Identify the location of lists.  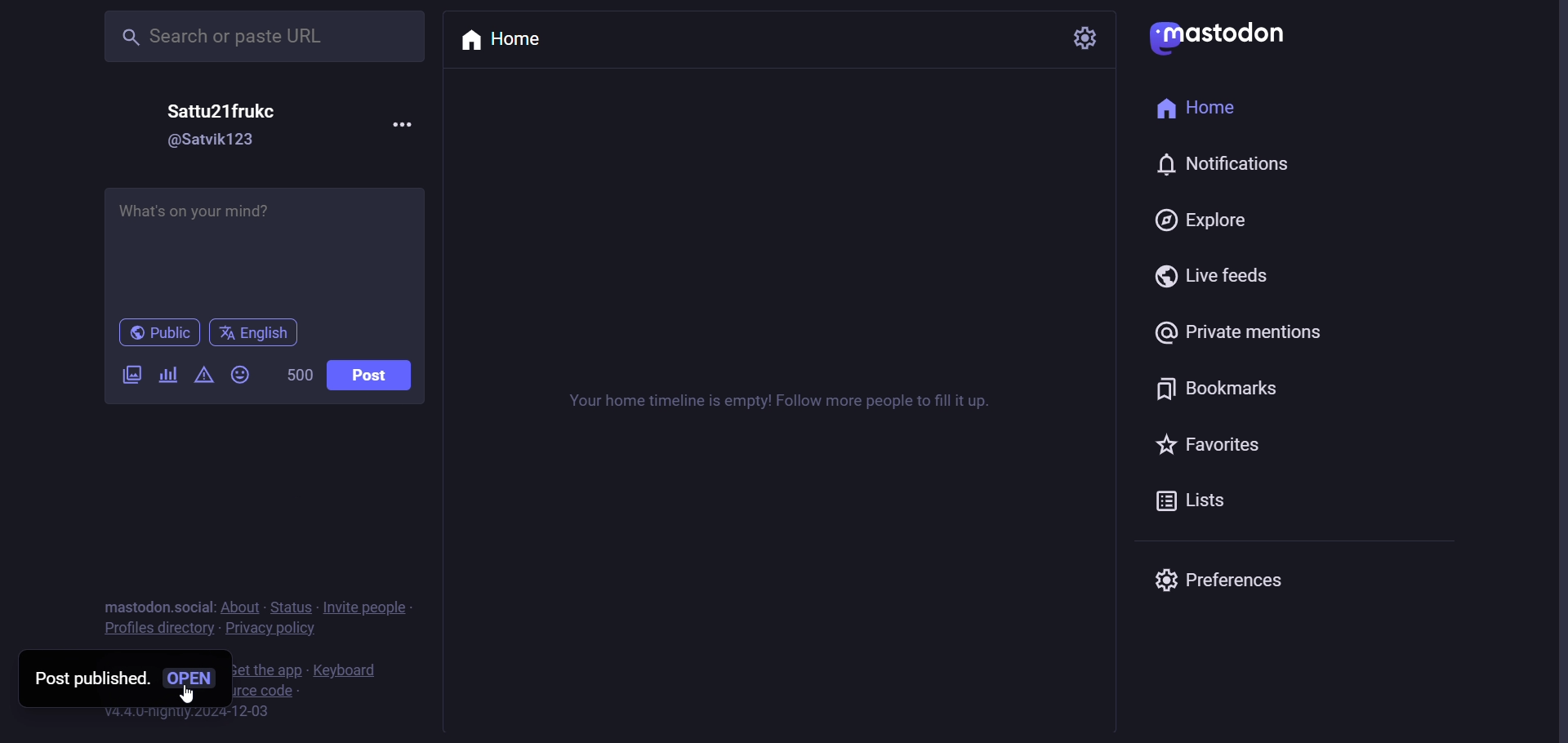
(1195, 500).